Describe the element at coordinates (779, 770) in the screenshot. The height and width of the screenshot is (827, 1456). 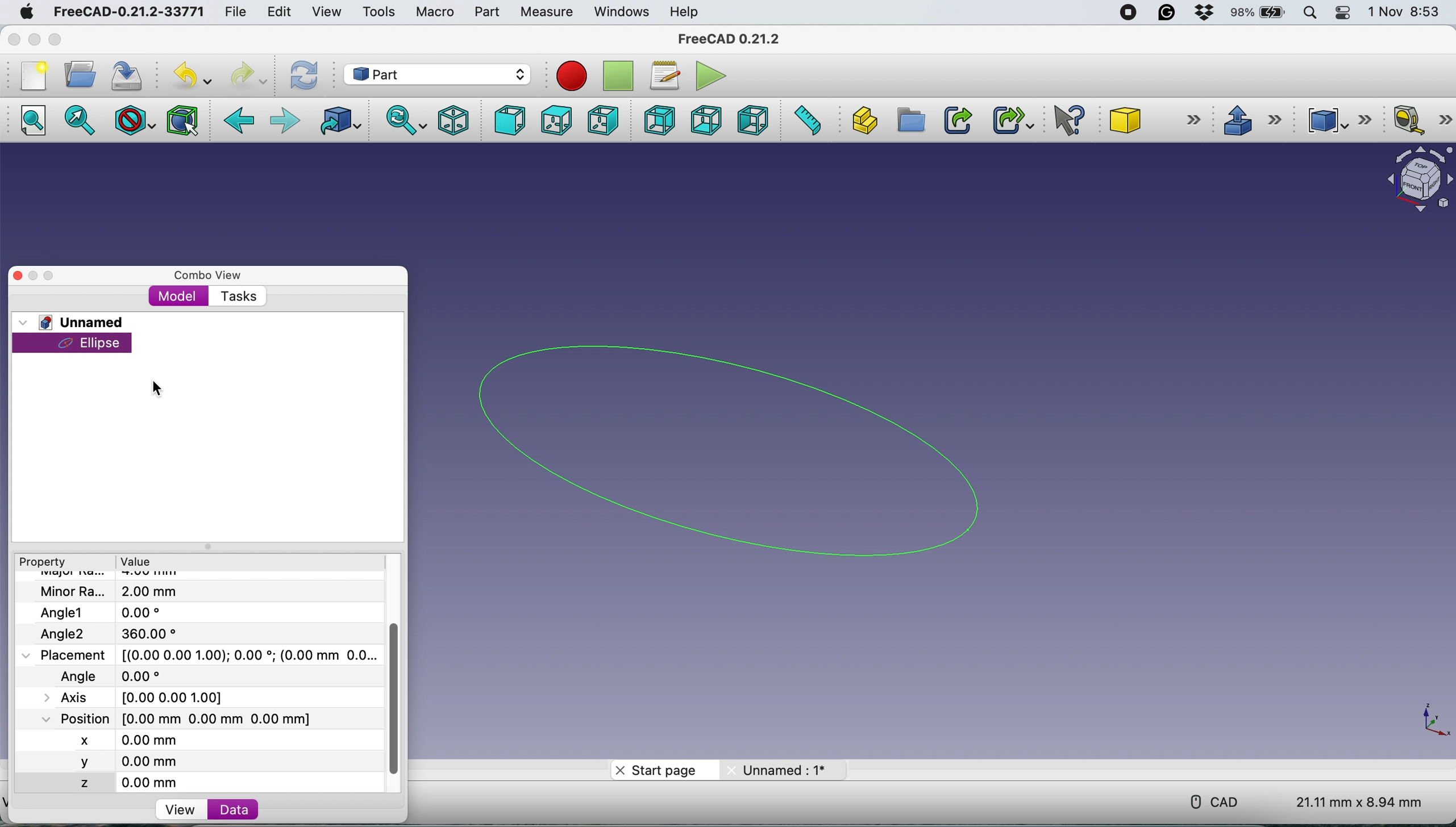
I see `unnamed` at that location.